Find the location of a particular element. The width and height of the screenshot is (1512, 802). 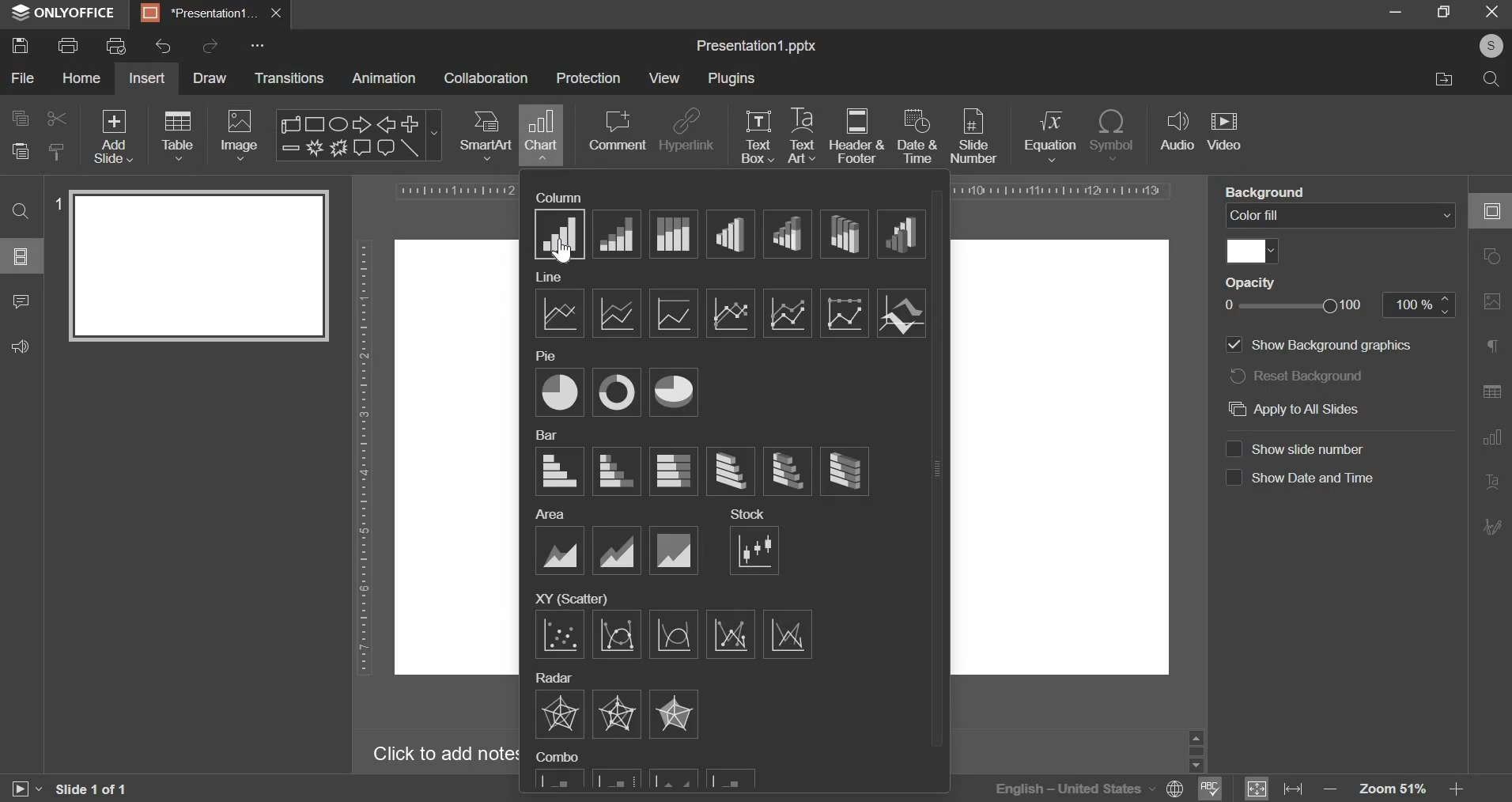

print preview is located at coordinates (116, 45).